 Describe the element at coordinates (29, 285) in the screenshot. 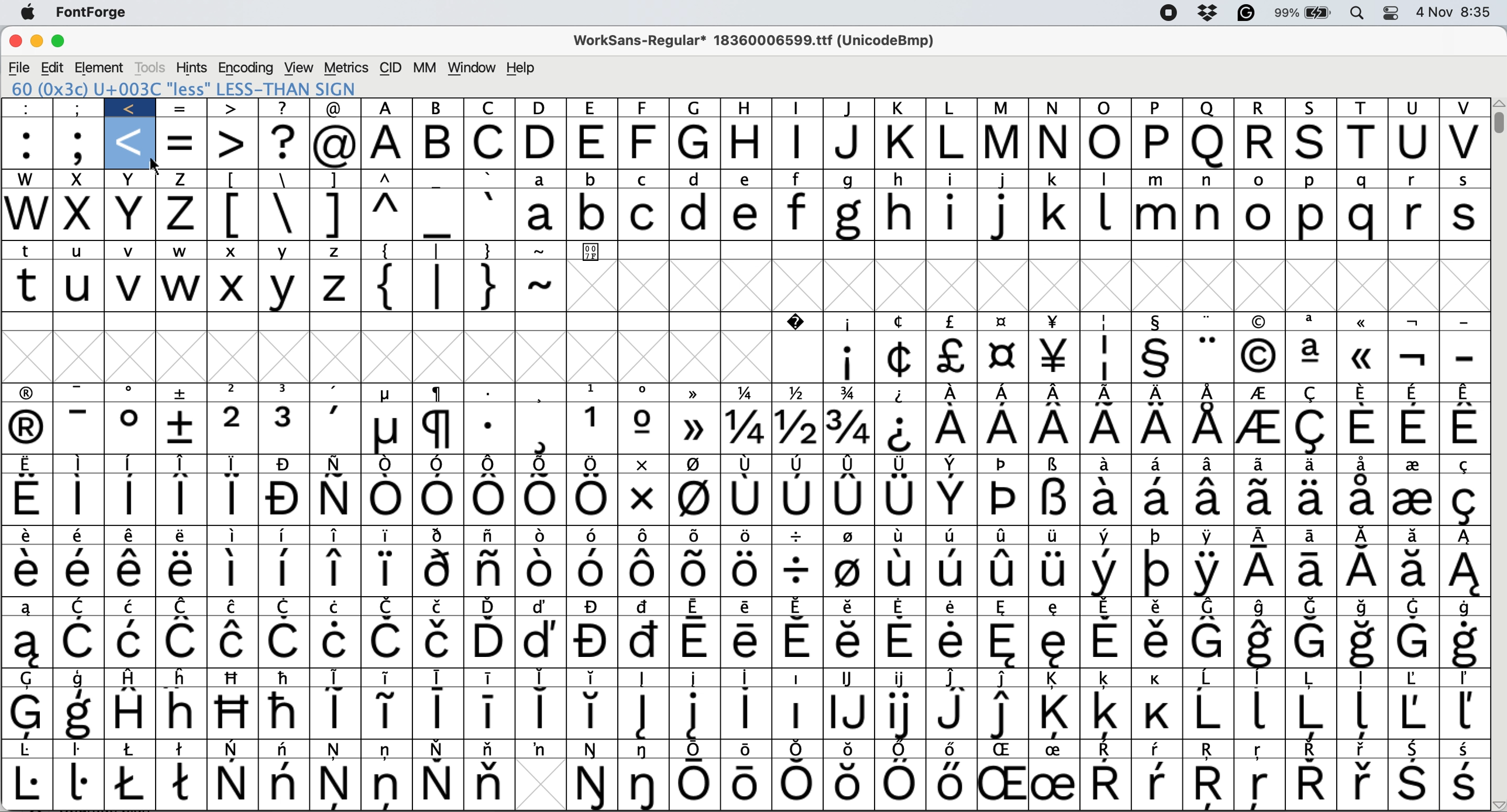

I see `t` at that location.